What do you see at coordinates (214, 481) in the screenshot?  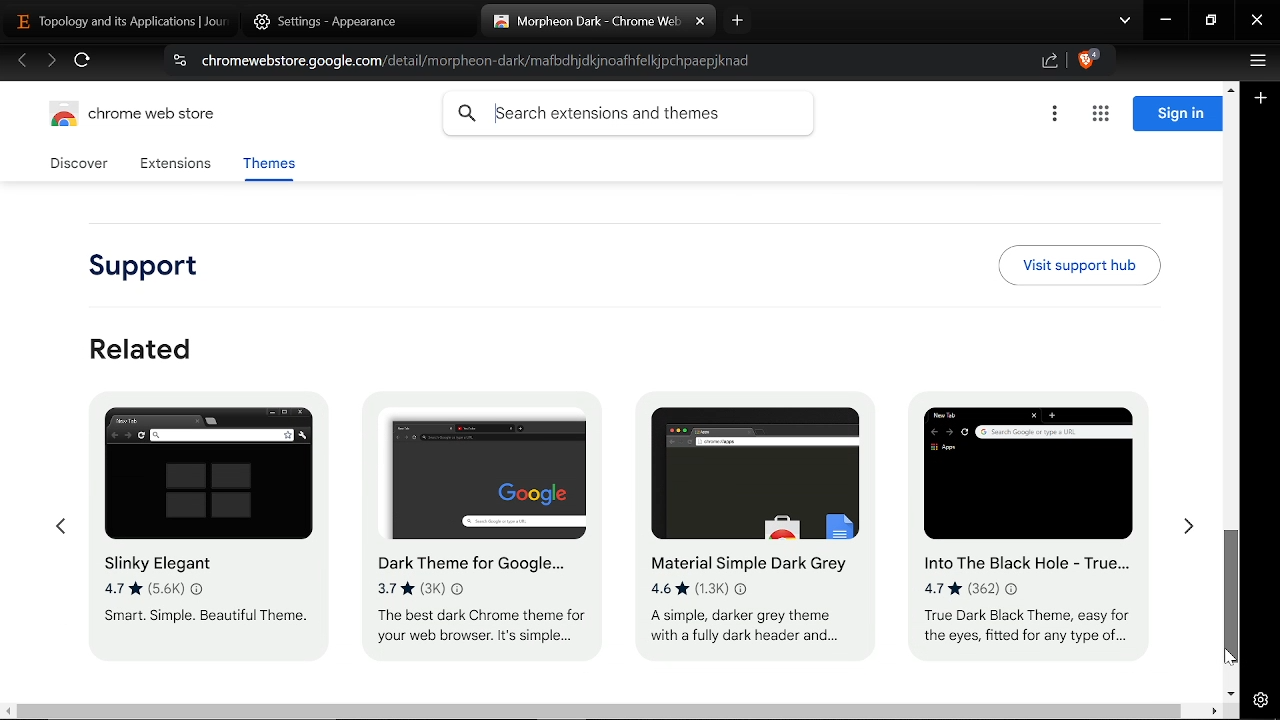 I see `Cursor` at bounding box center [214, 481].